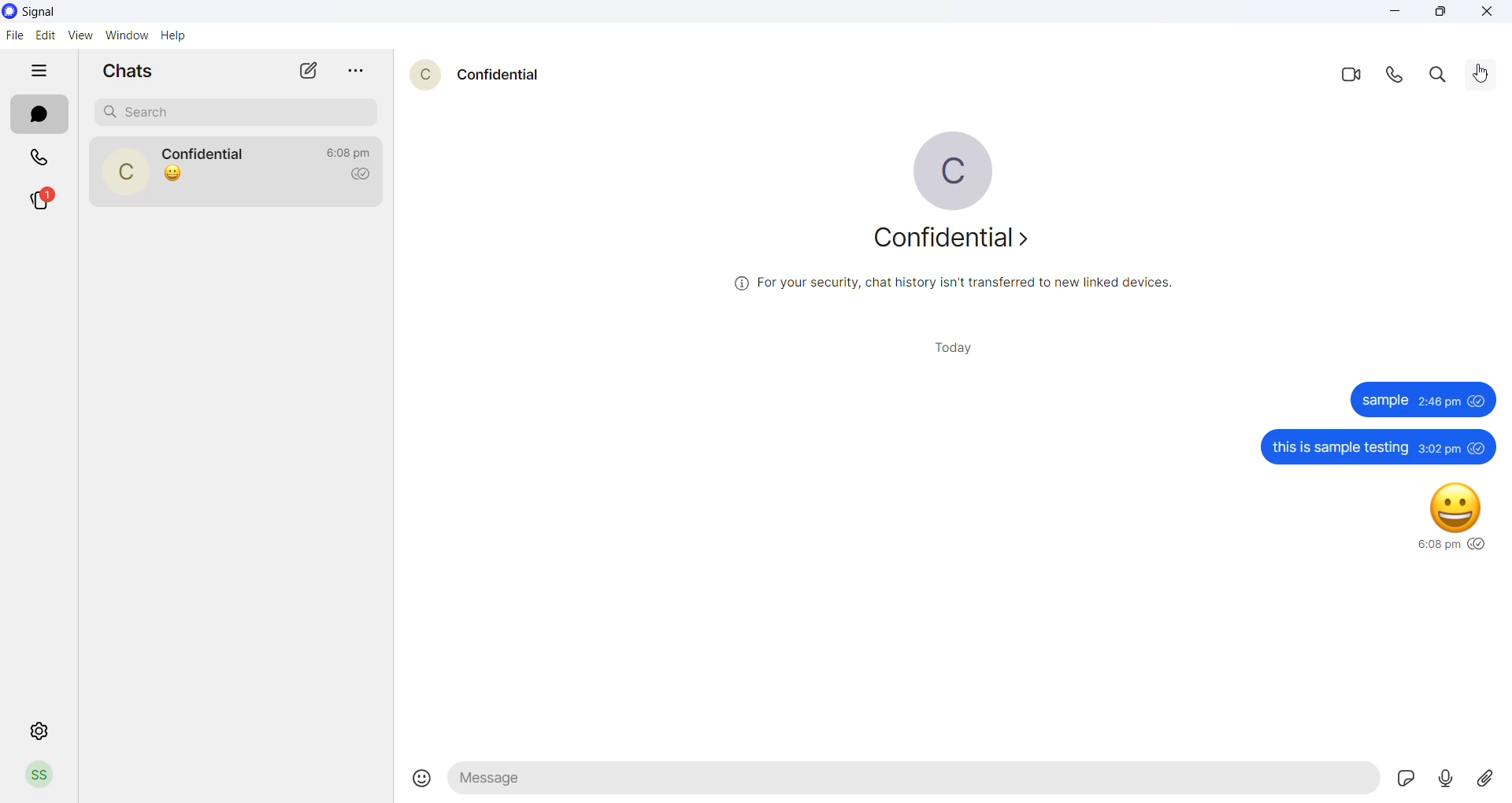  What do you see at coordinates (129, 70) in the screenshot?
I see `chats heading` at bounding box center [129, 70].